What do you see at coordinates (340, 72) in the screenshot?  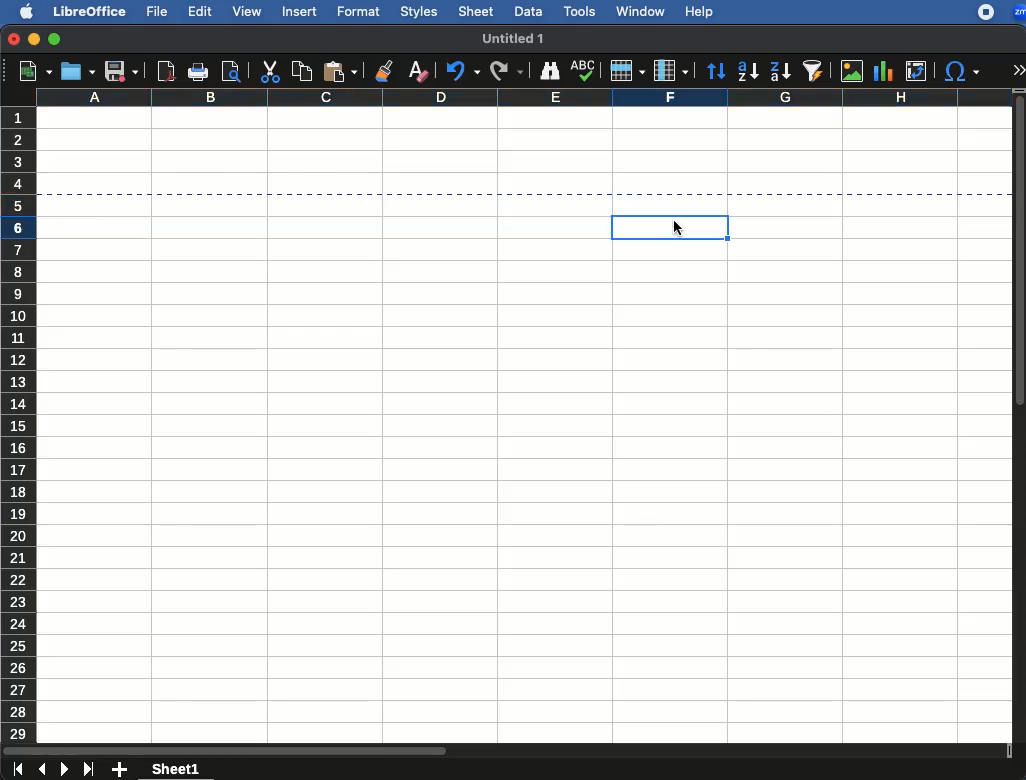 I see `paste` at bounding box center [340, 72].